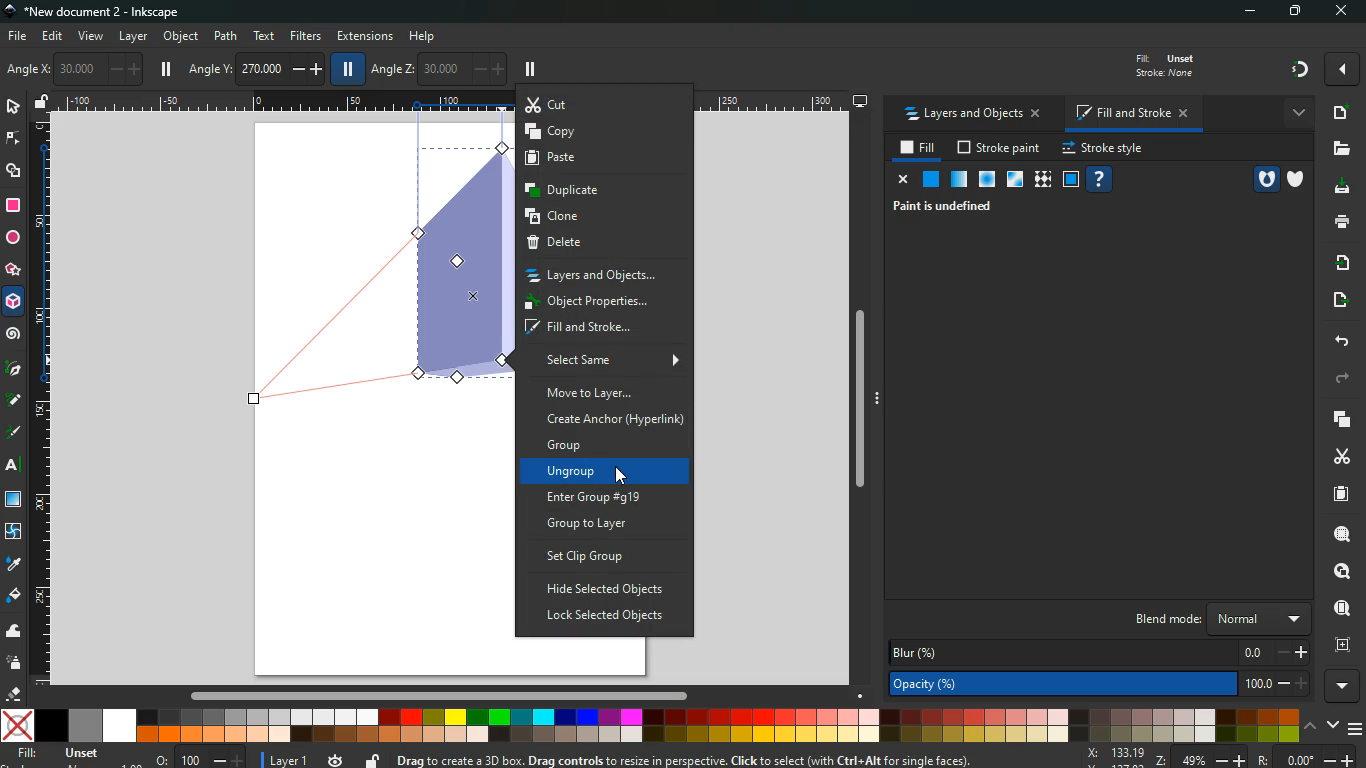 The width and height of the screenshot is (1366, 768). Describe the element at coordinates (12, 272) in the screenshot. I see `star` at that location.